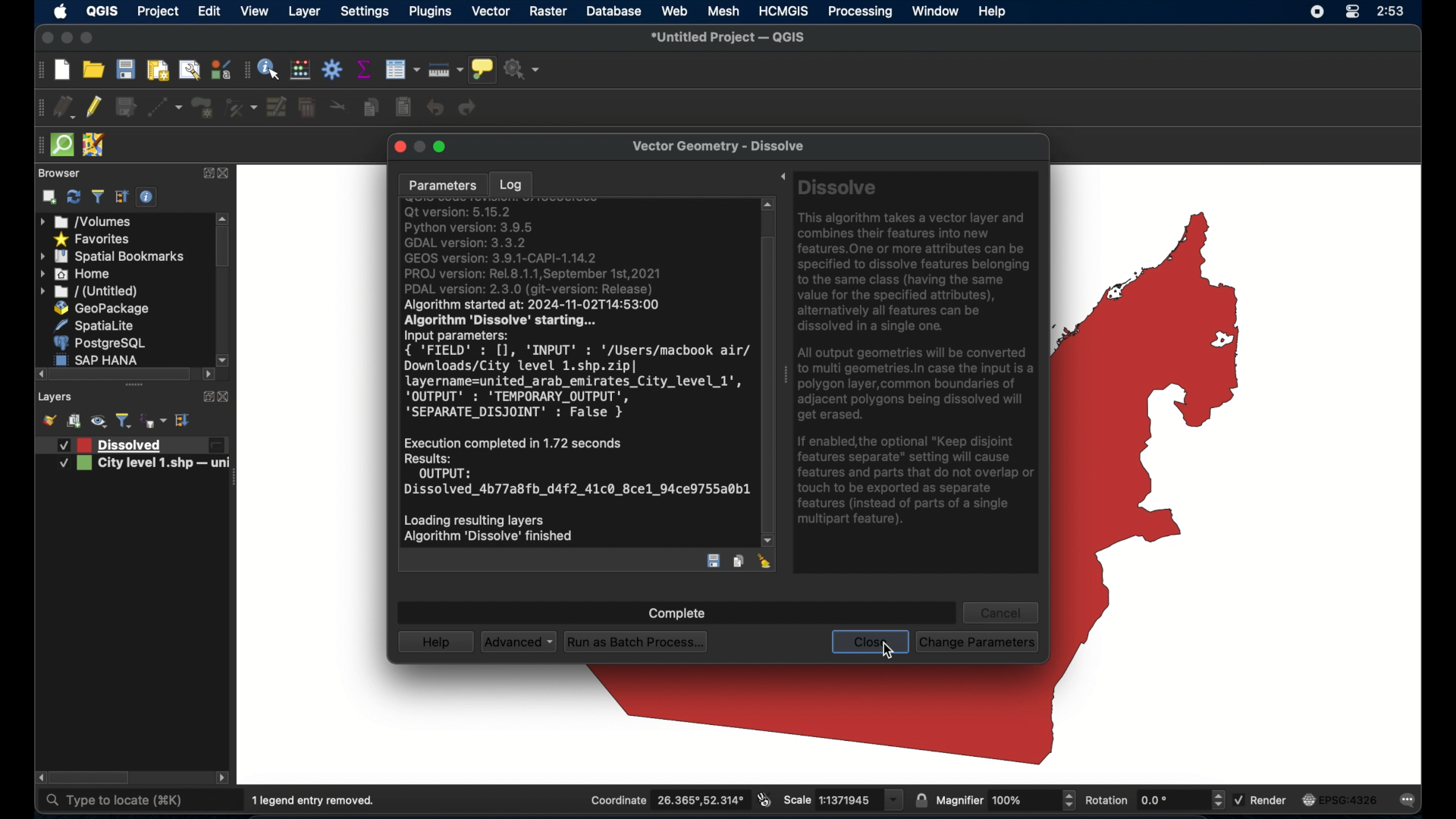 This screenshot has width=1456, height=819. Describe the element at coordinates (95, 145) in the screenshot. I see `jsom remote` at that location.